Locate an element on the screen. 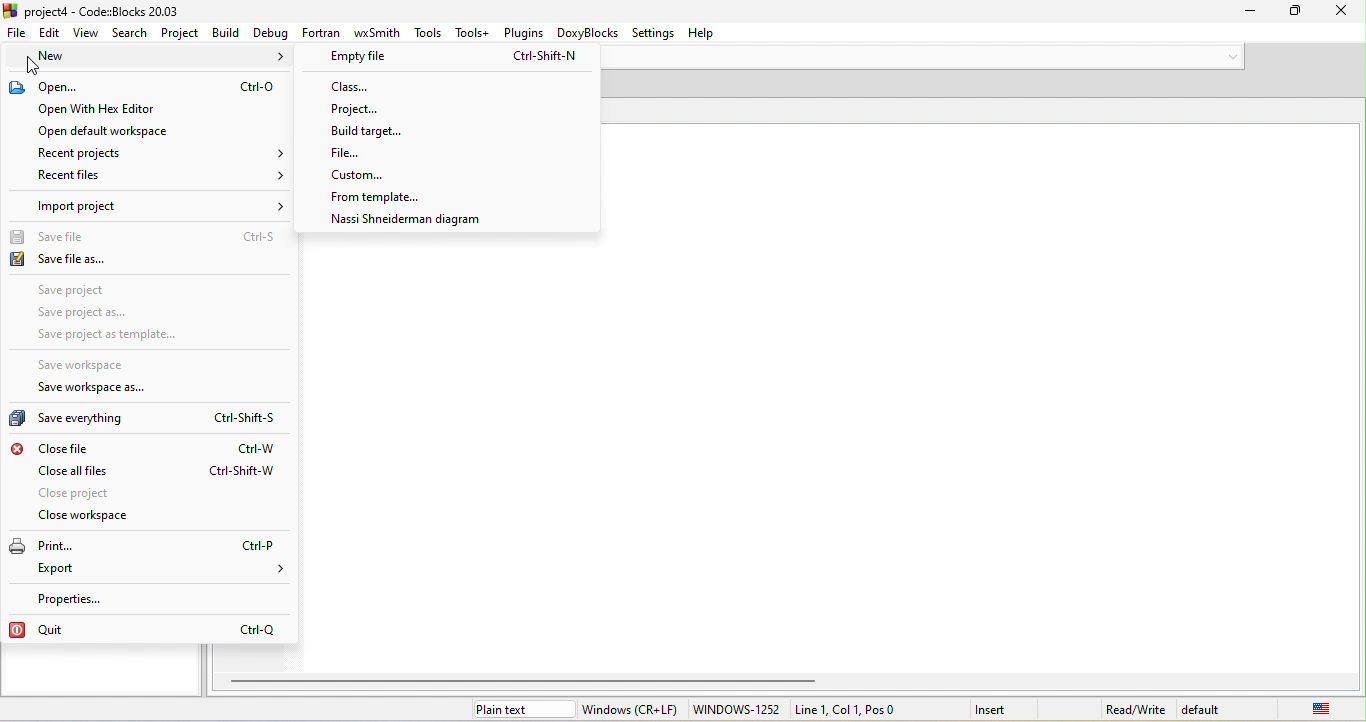  insert is located at coordinates (1003, 708).